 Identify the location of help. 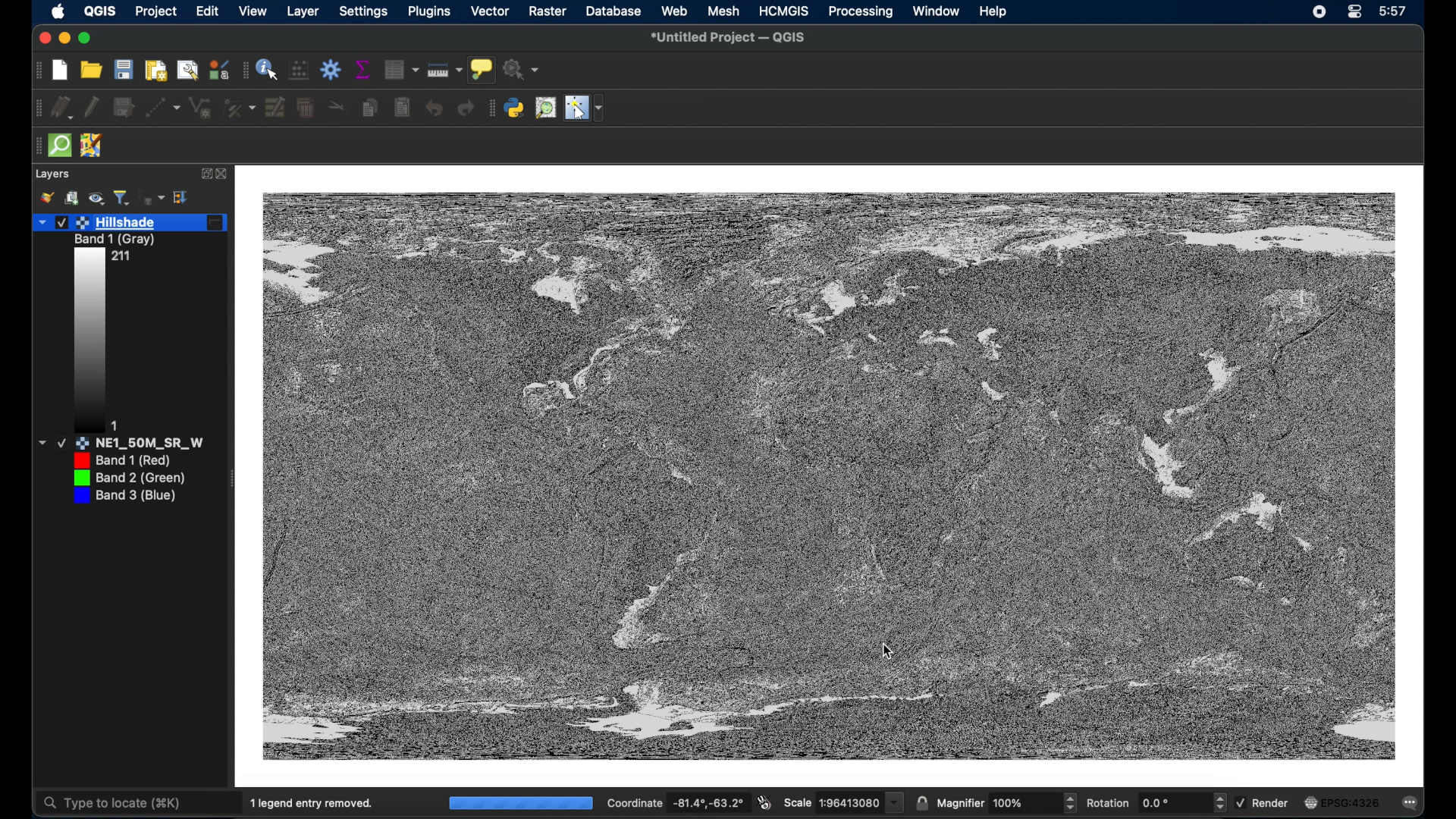
(994, 12).